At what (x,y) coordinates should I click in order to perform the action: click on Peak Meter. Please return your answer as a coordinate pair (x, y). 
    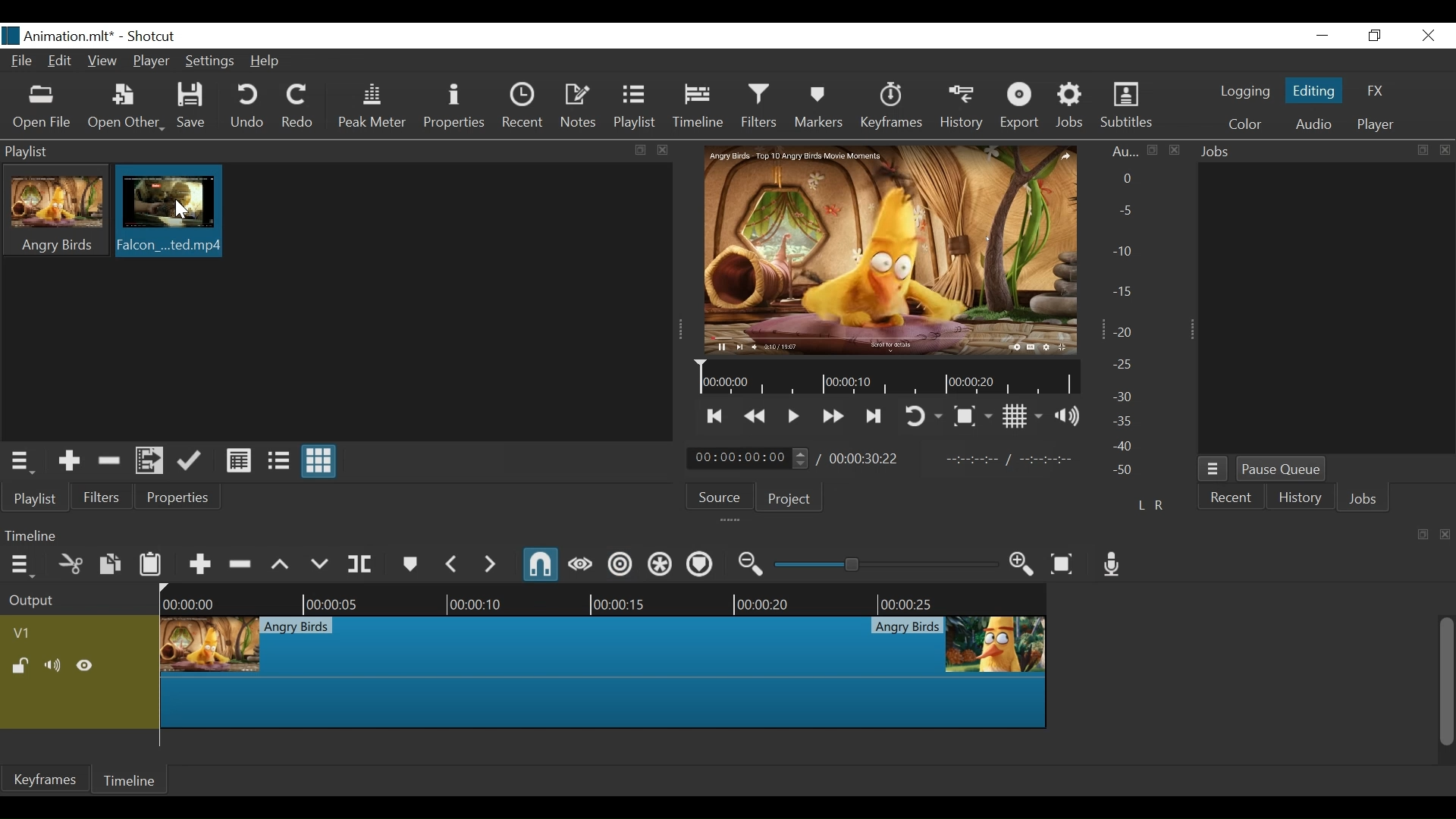
    Looking at the image, I should click on (372, 108).